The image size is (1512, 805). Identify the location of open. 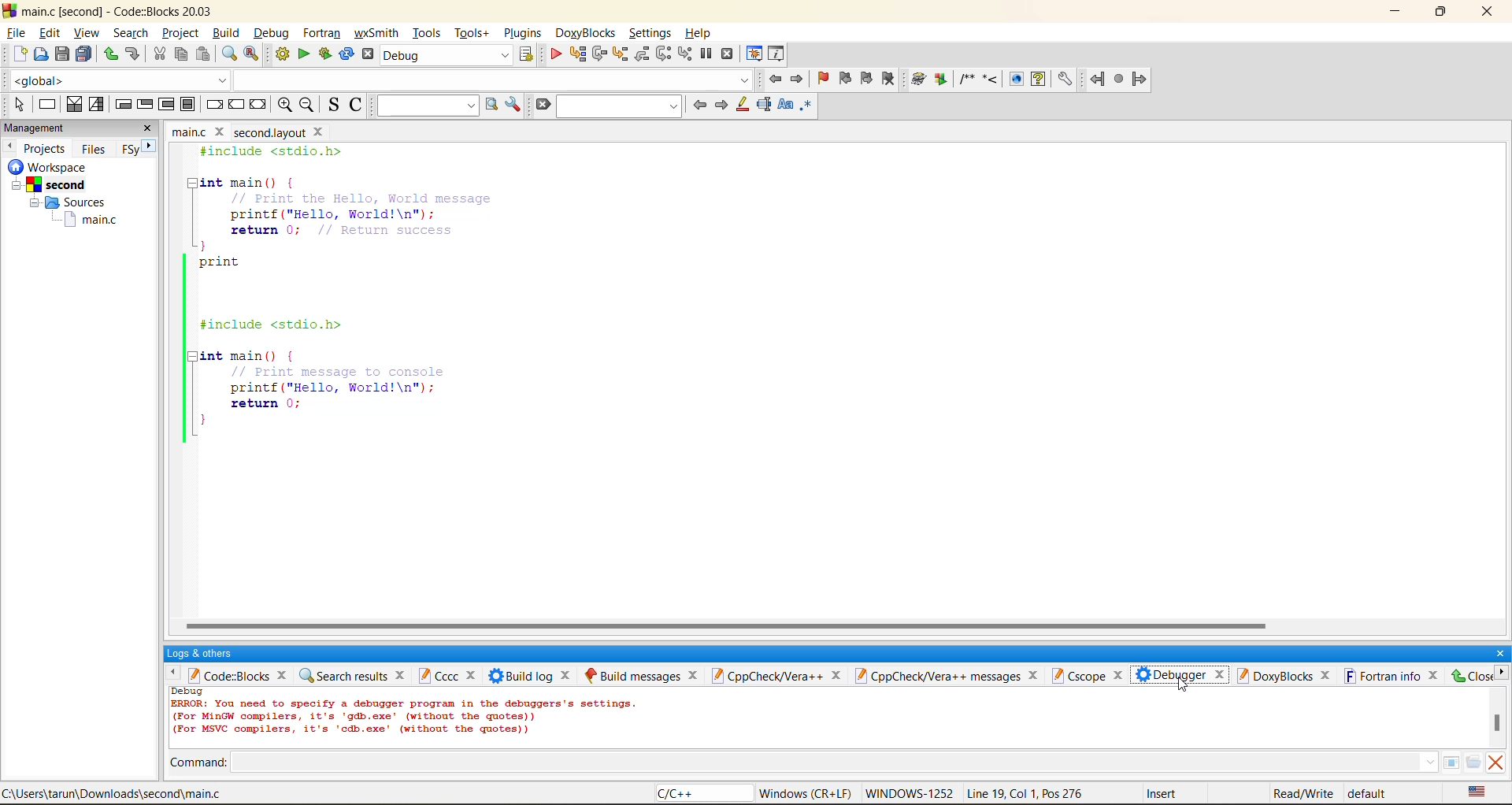
(38, 57).